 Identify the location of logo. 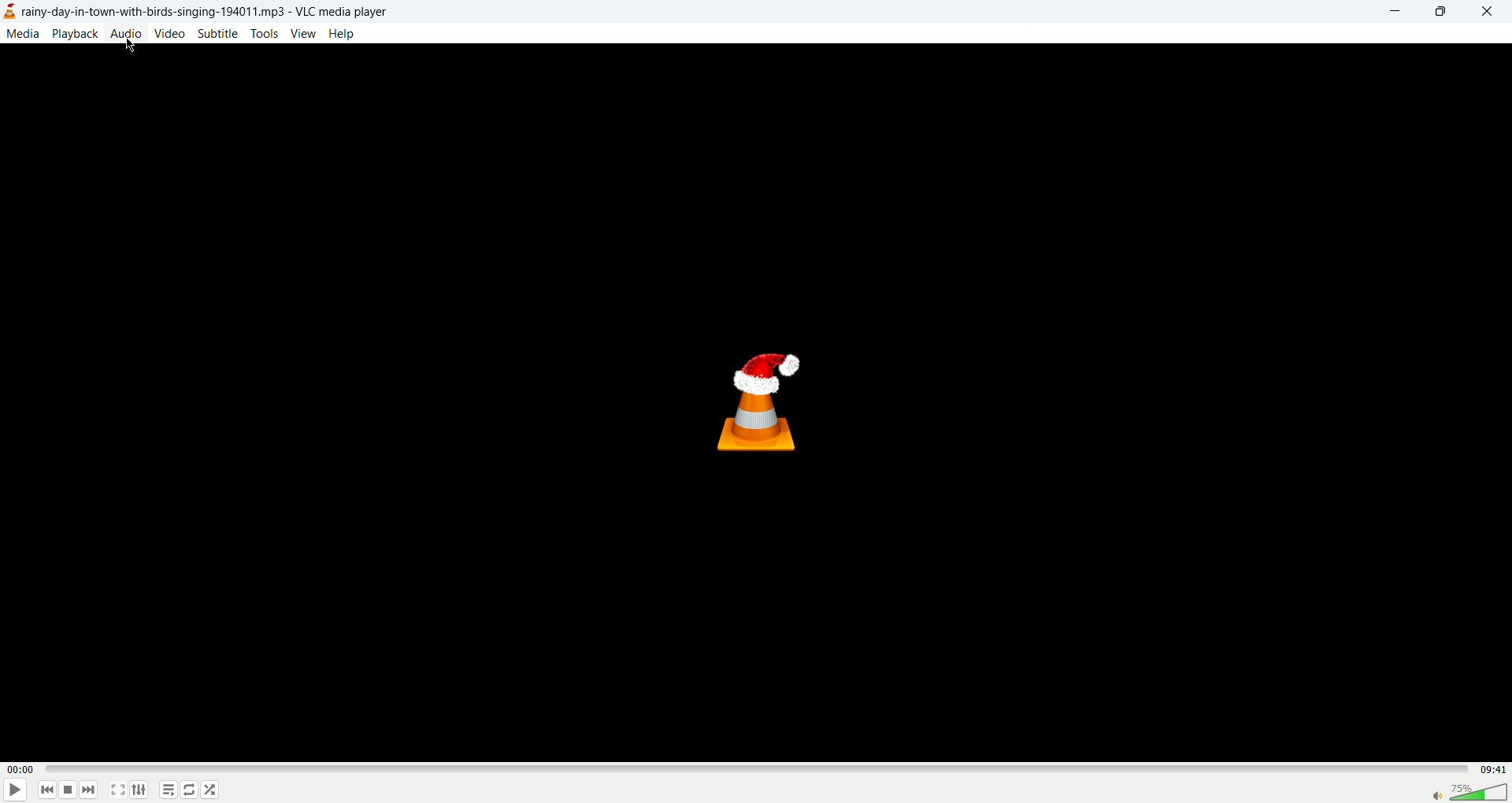
(10, 12).